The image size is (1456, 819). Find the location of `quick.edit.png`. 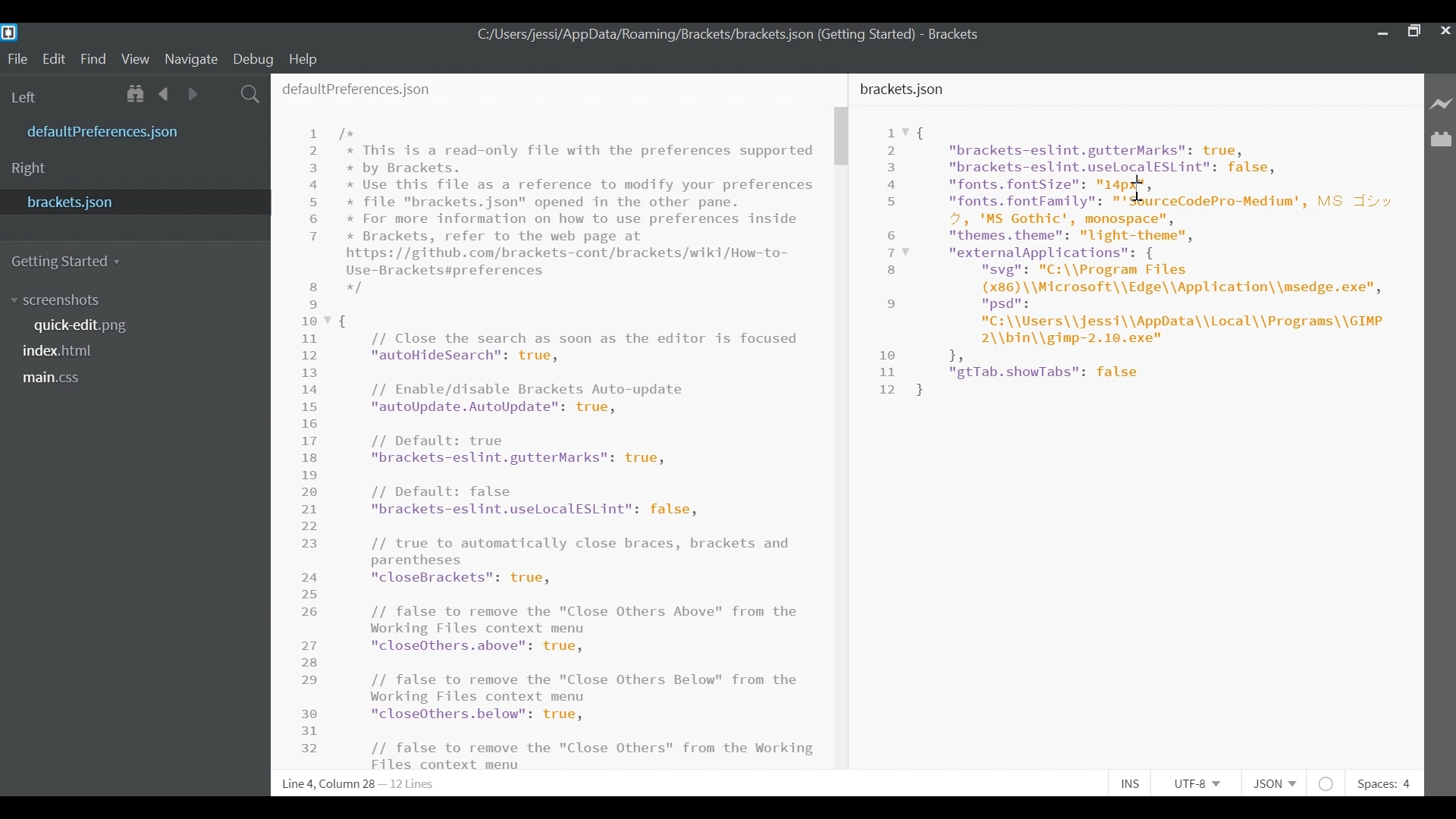

quick.edit.png is located at coordinates (83, 326).